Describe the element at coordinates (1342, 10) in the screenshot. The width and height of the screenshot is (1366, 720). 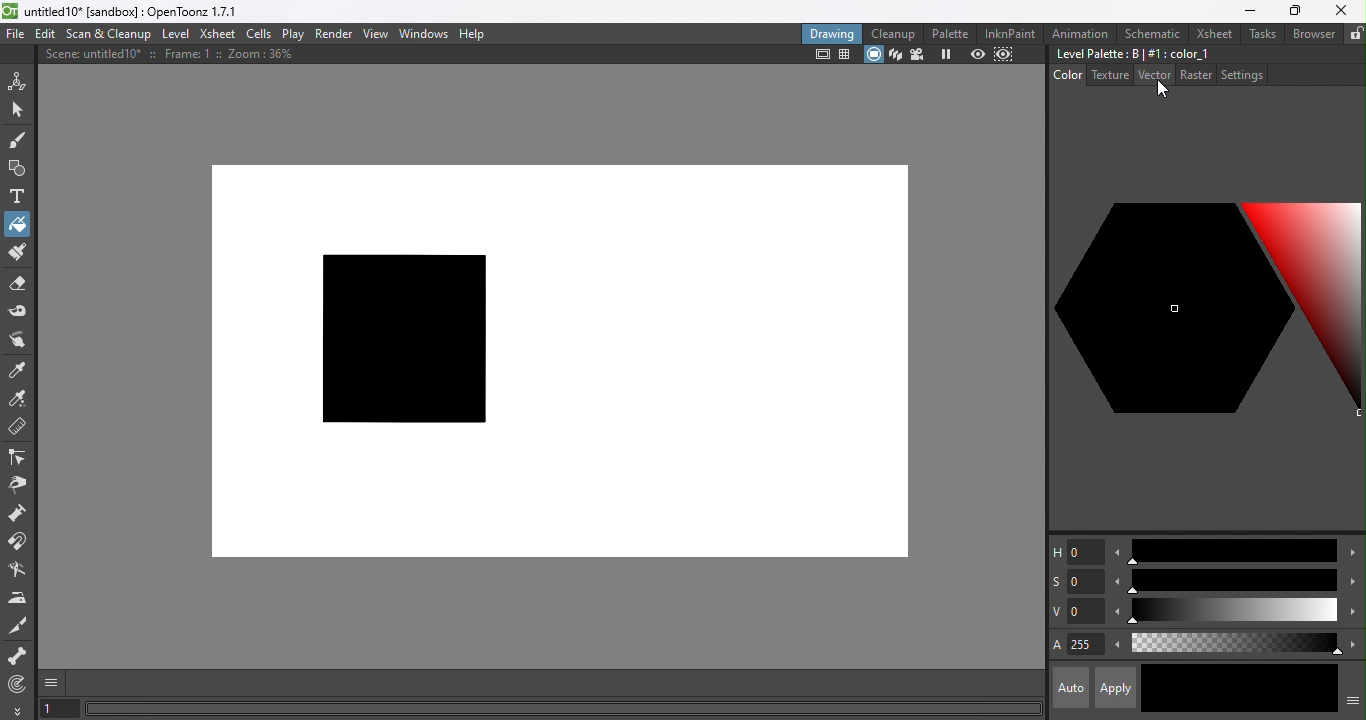
I see `Close` at that location.